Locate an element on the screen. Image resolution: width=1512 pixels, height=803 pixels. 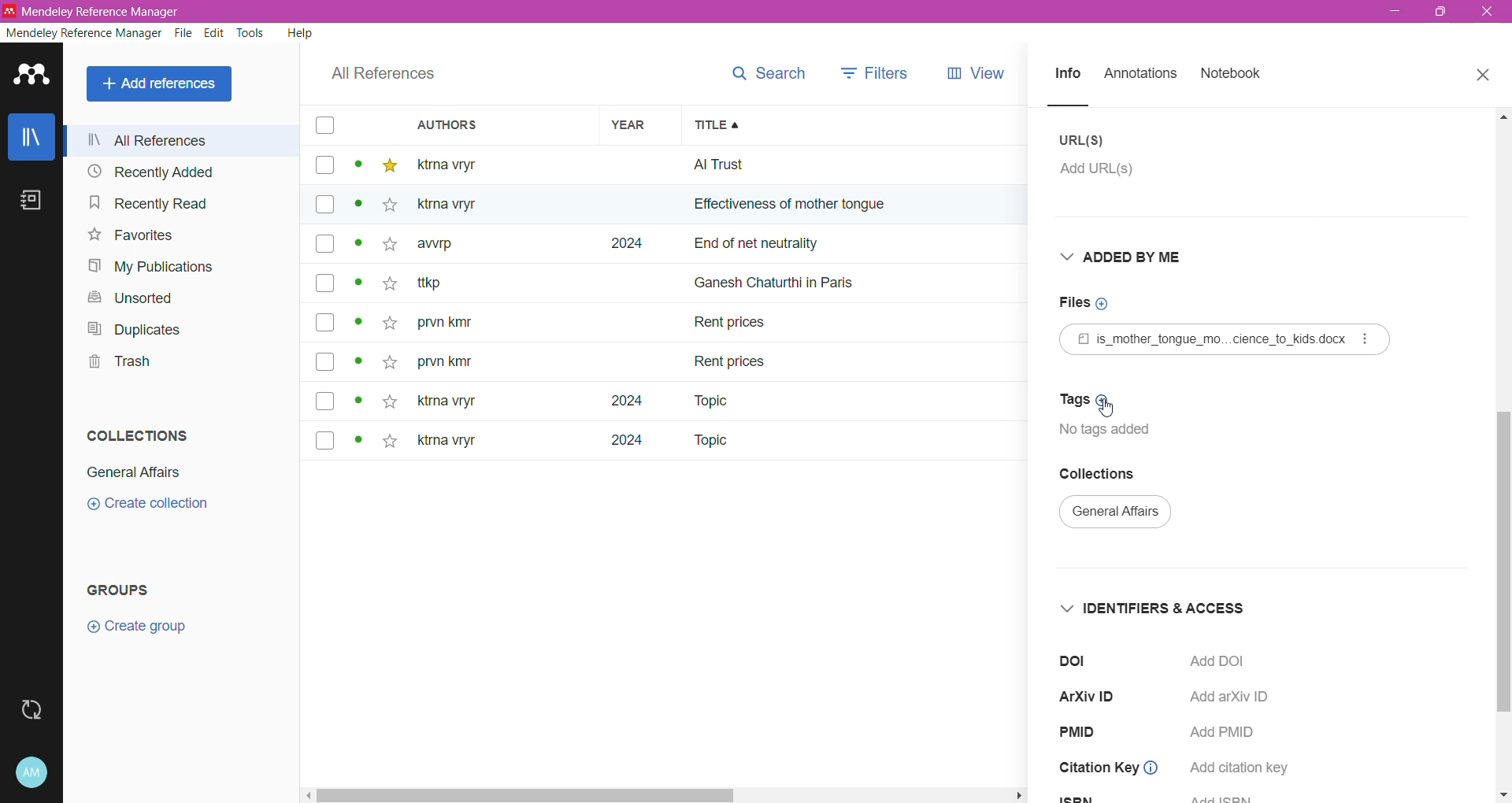
star is located at coordinates (389, 166).